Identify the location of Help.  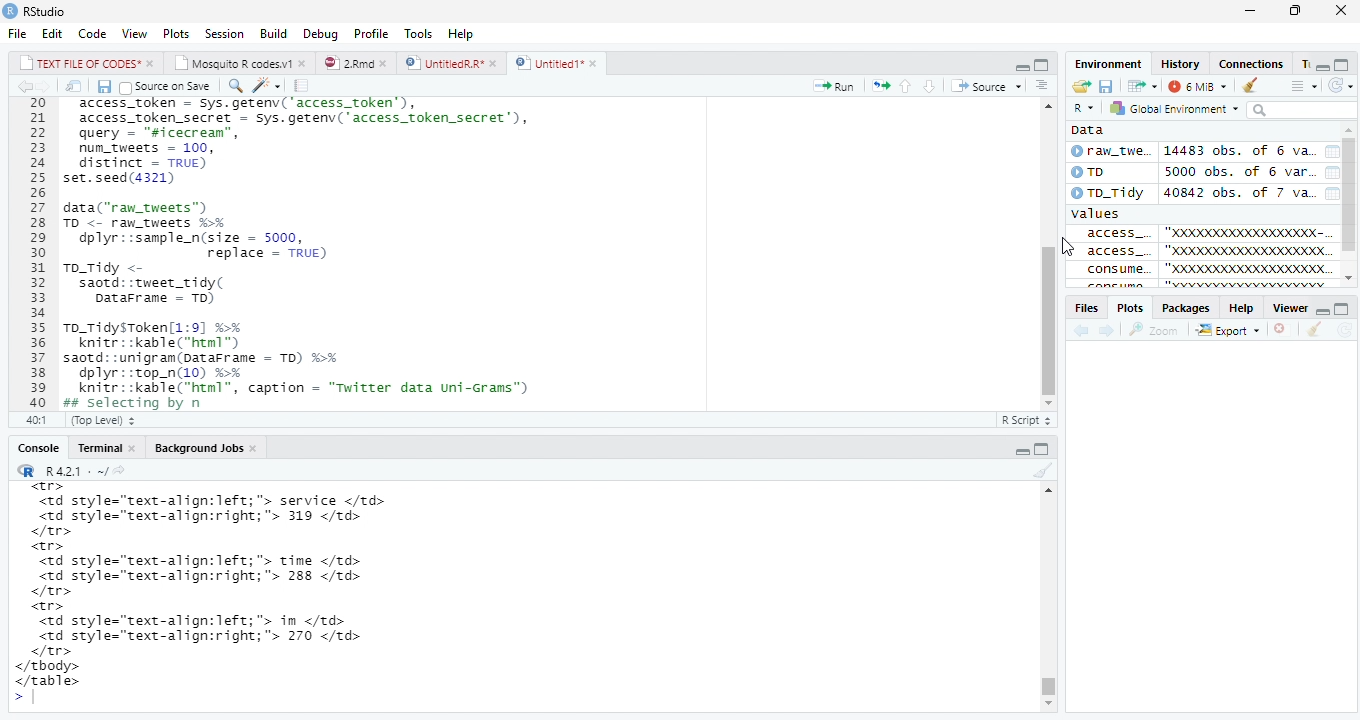
(1239, 309).